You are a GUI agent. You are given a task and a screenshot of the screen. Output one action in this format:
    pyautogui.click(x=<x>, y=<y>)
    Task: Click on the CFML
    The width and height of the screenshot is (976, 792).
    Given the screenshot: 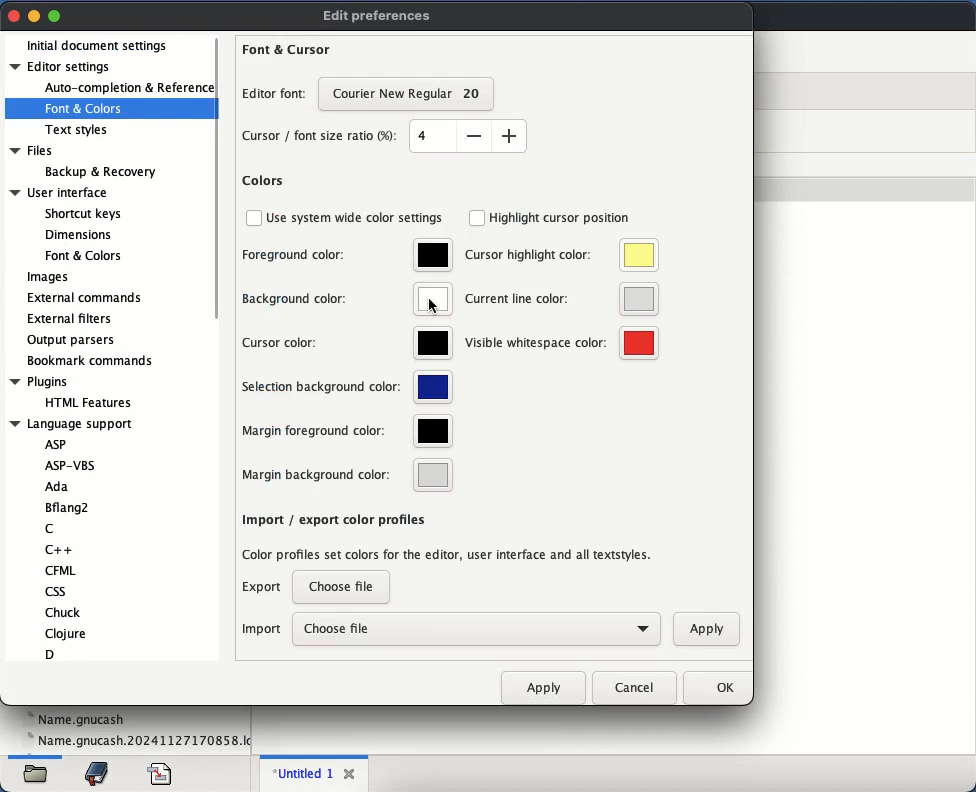 What is the action you would take?
    pyautogui.click(x=61, y=571)
    